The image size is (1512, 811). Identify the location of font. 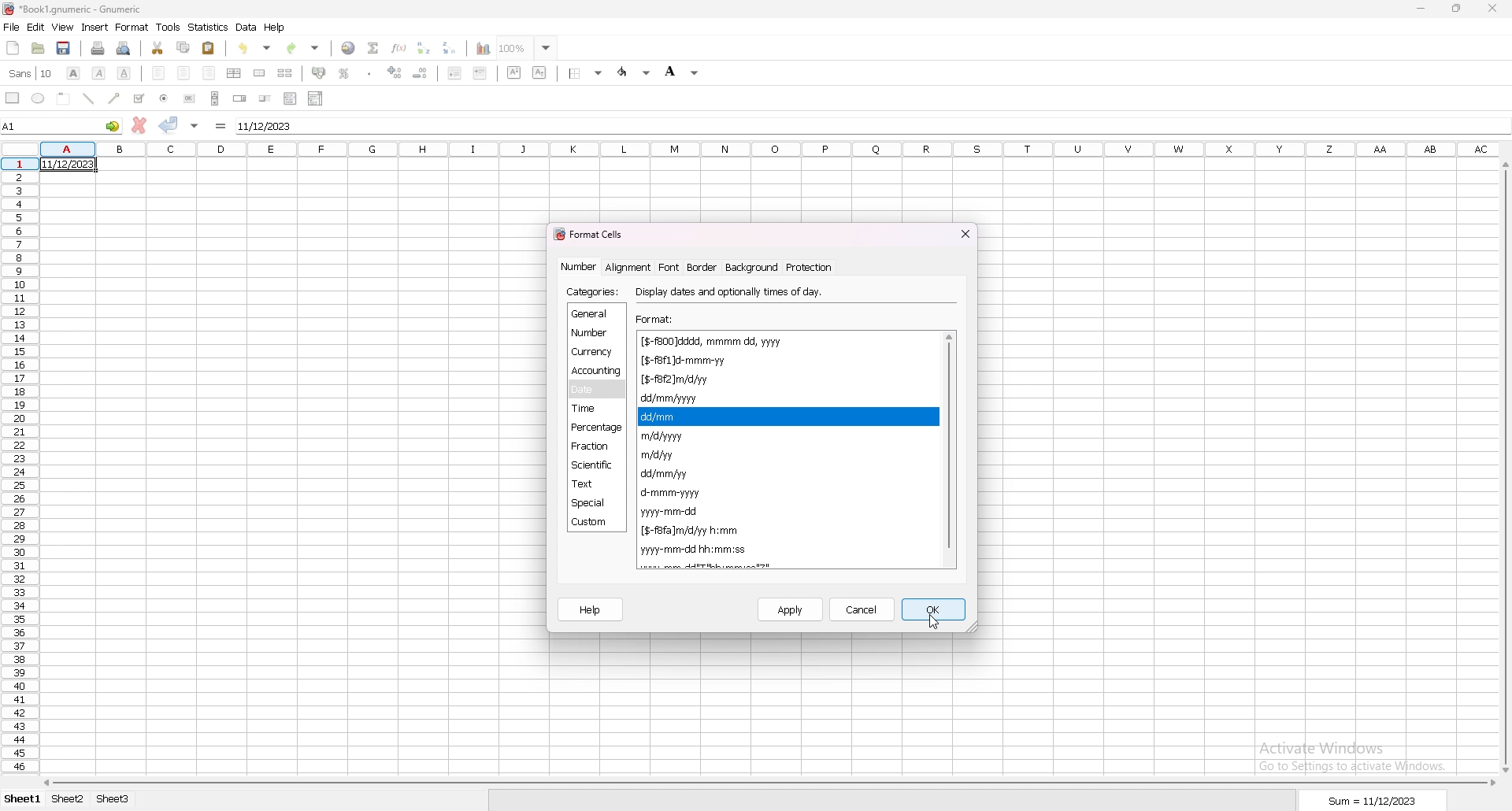
(670, 267).